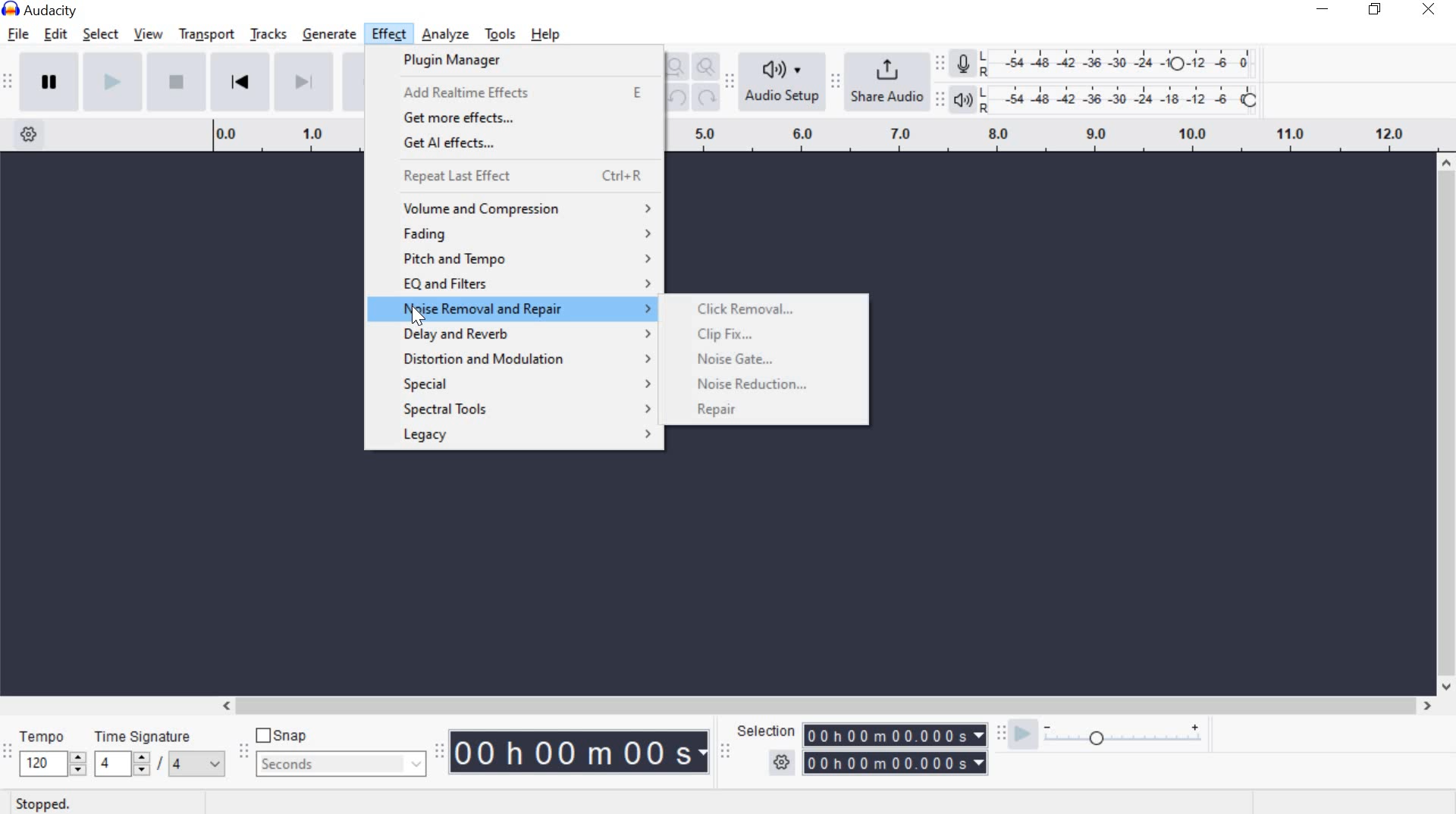 Image resolution: width=1456 pixels, height=814 pixels. What do you see at coordinates (781, 765) in the screenshot?
I see `selection option` at bounding box center [781, 765].